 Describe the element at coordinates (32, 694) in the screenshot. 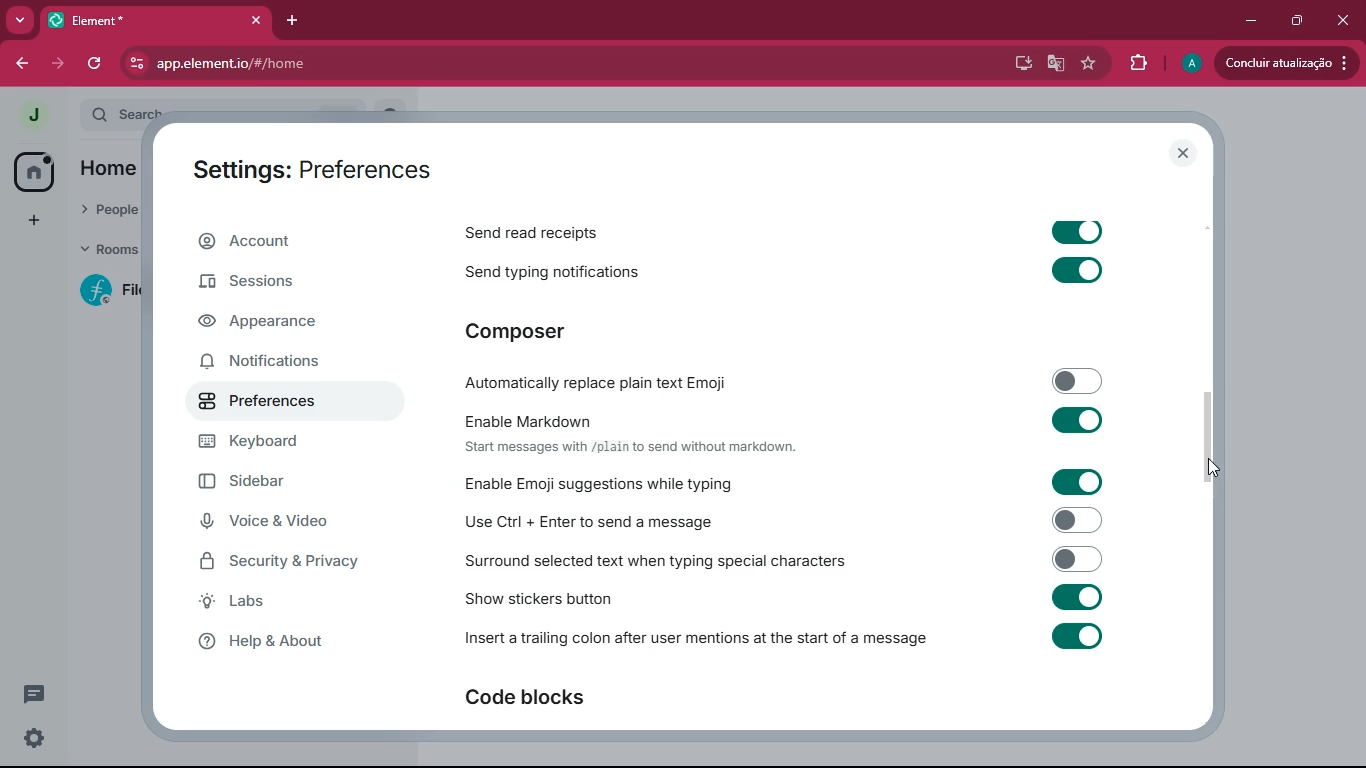

I see `conversation ` at that location.